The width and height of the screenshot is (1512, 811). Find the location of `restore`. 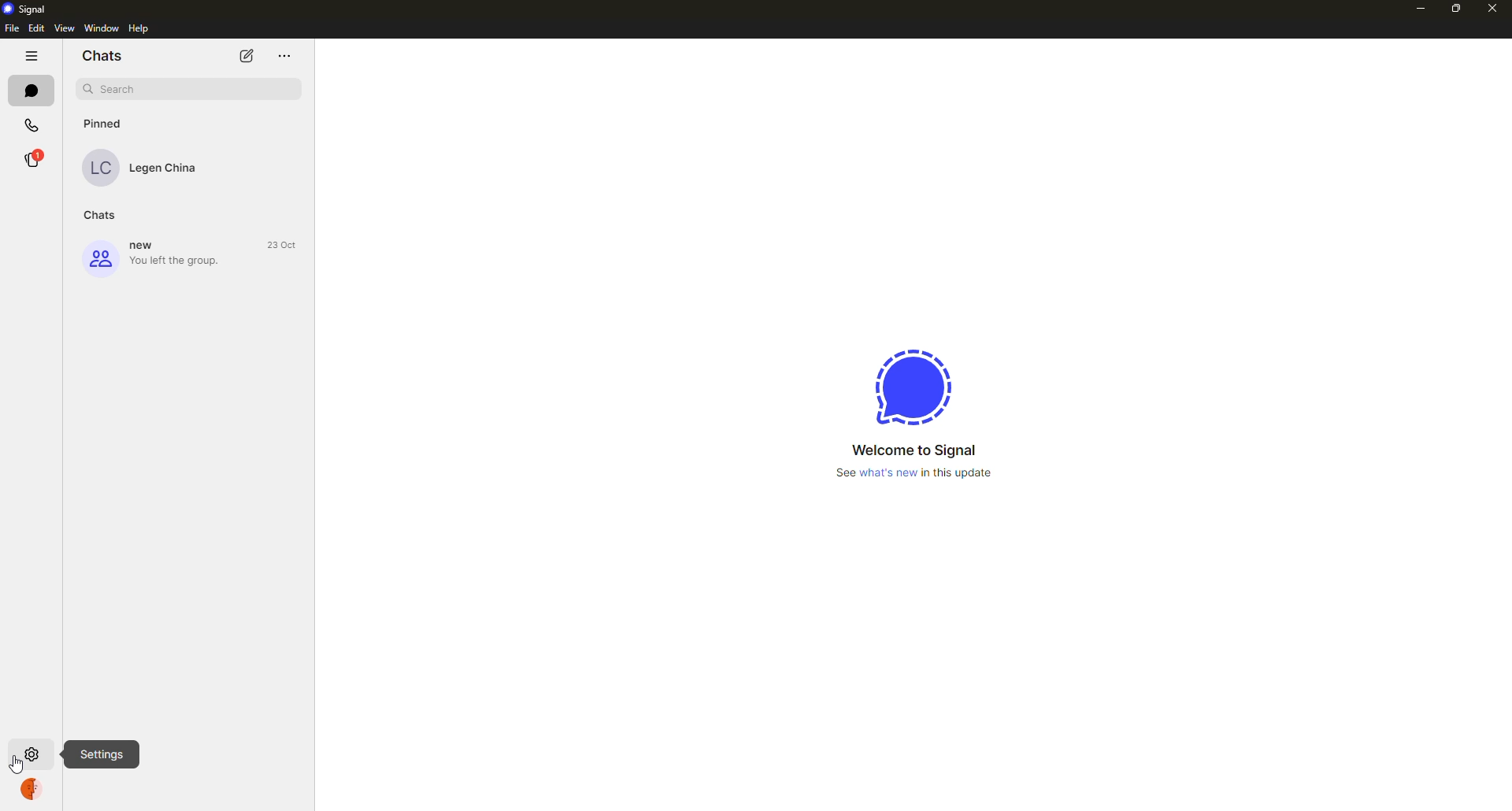

restore is located at coordinates (1455, 9).